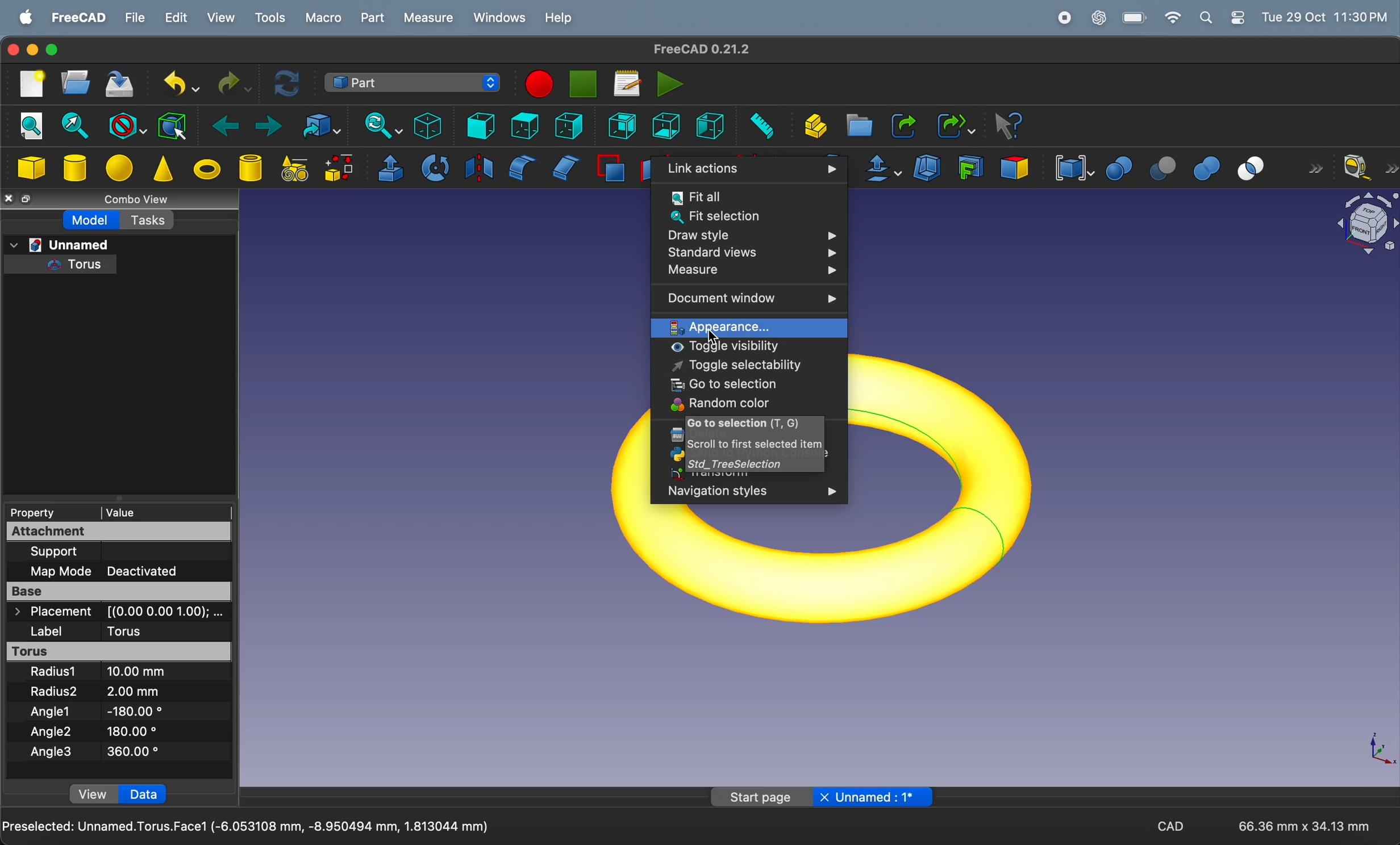  I want to click on offset, so click(881, 169).